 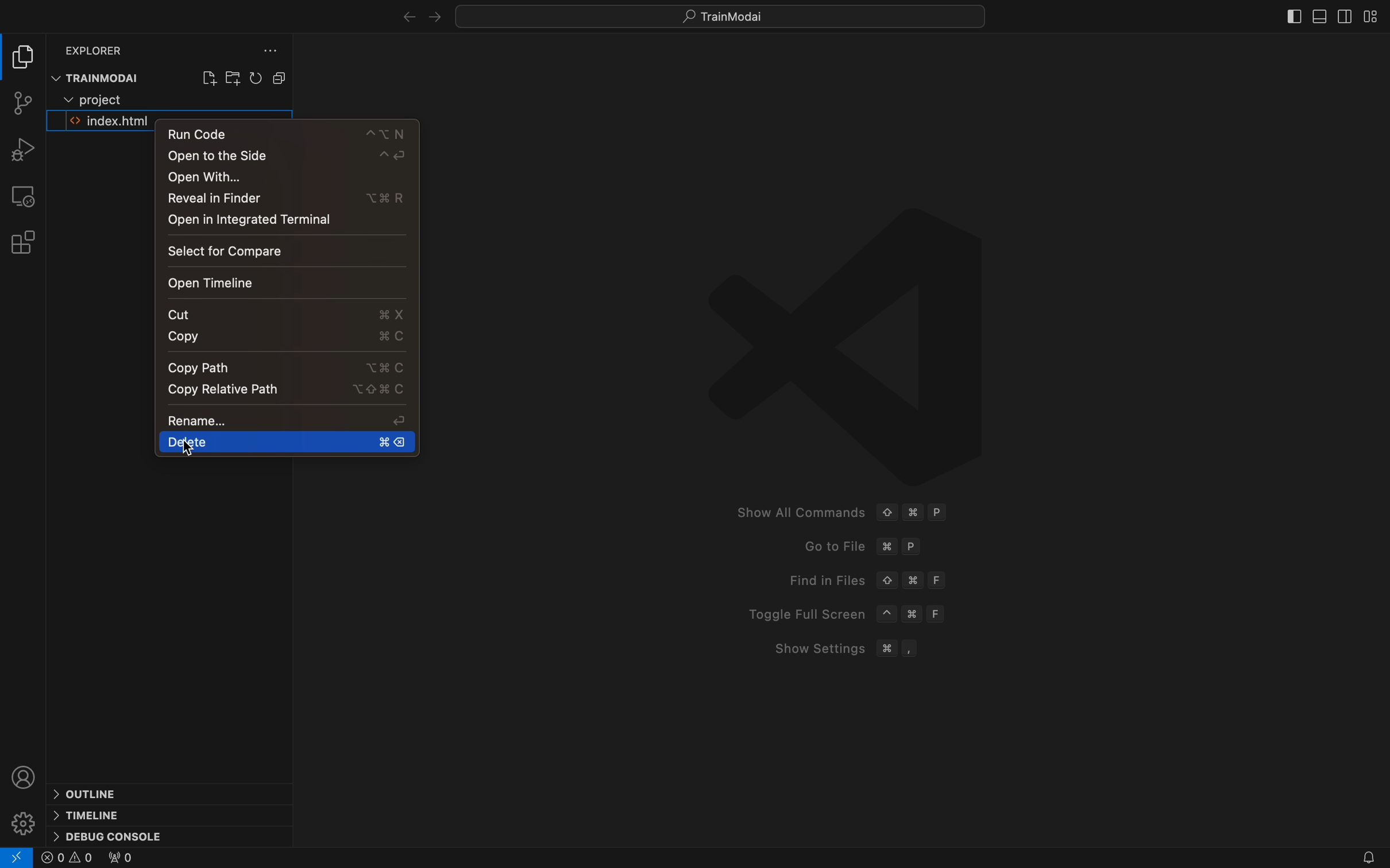 What do you see at coordinates (281, 441) in the screenshot?
I see `delete` at bounding box center [281, 441].